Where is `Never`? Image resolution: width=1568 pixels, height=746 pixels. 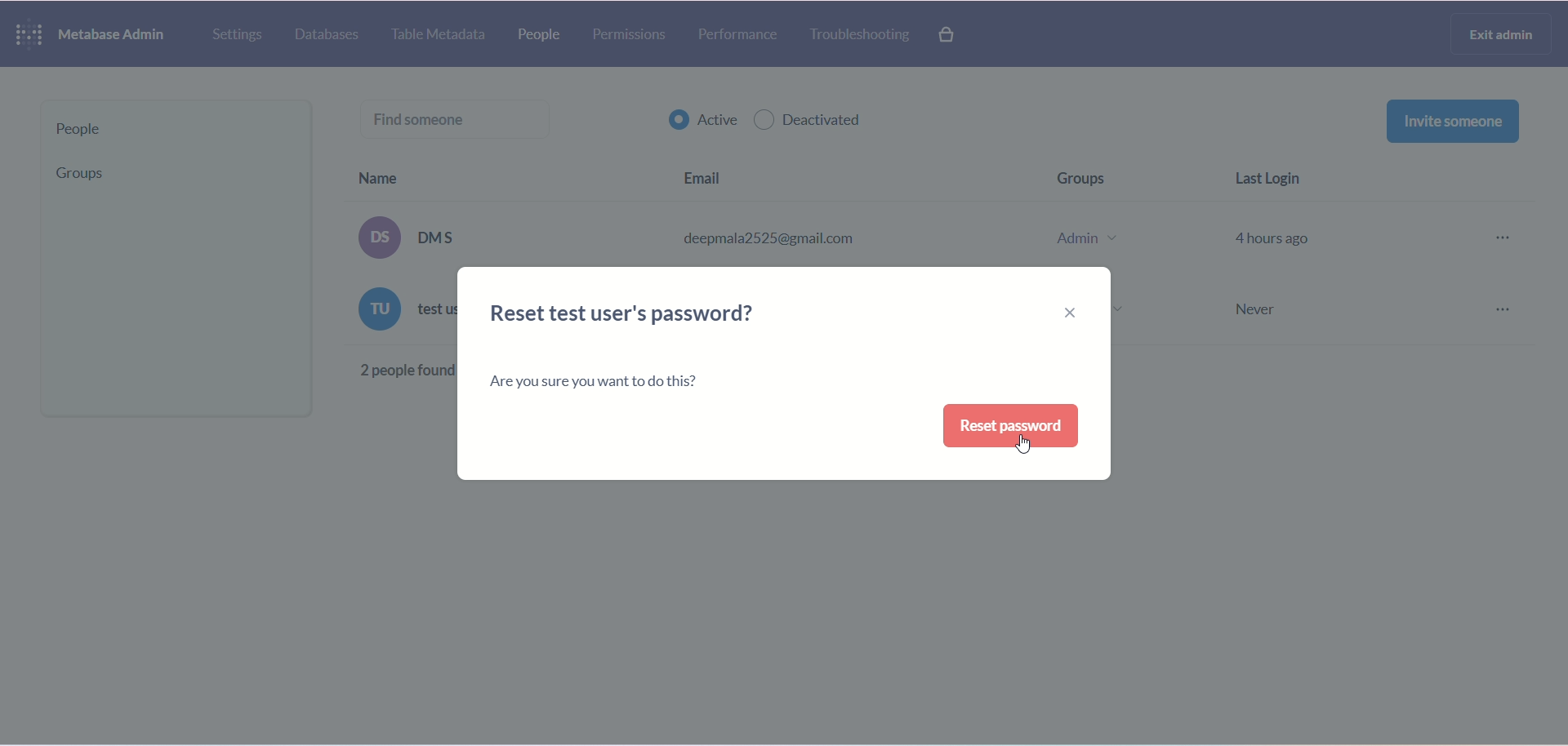 Never is located at coordinates (1262, 313).